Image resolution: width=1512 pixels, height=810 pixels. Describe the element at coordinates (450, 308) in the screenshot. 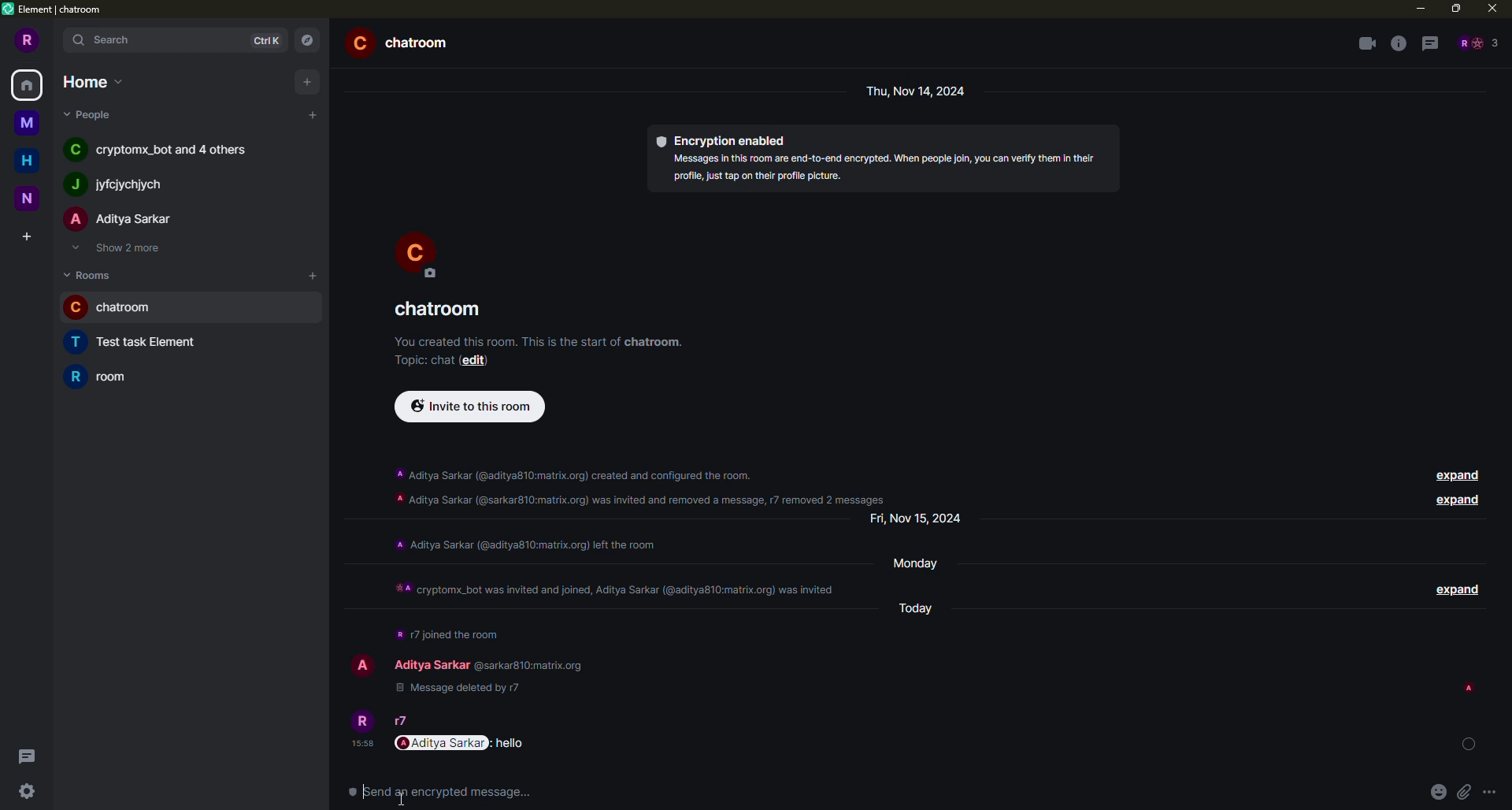

I see `room` at that location.